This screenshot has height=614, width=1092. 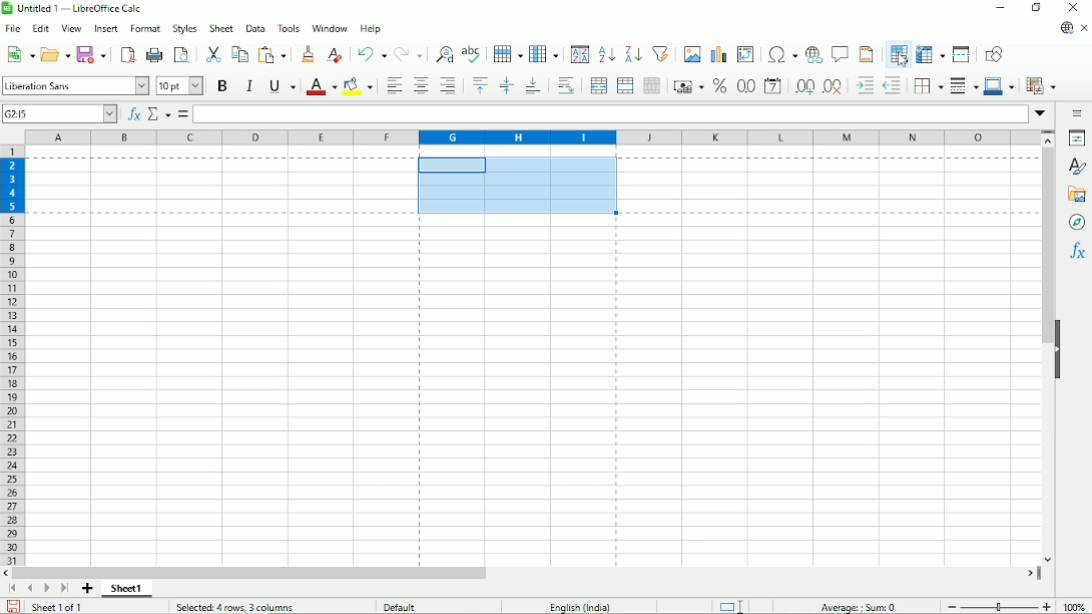 I want to click on Language, so click(x=584, y=605).